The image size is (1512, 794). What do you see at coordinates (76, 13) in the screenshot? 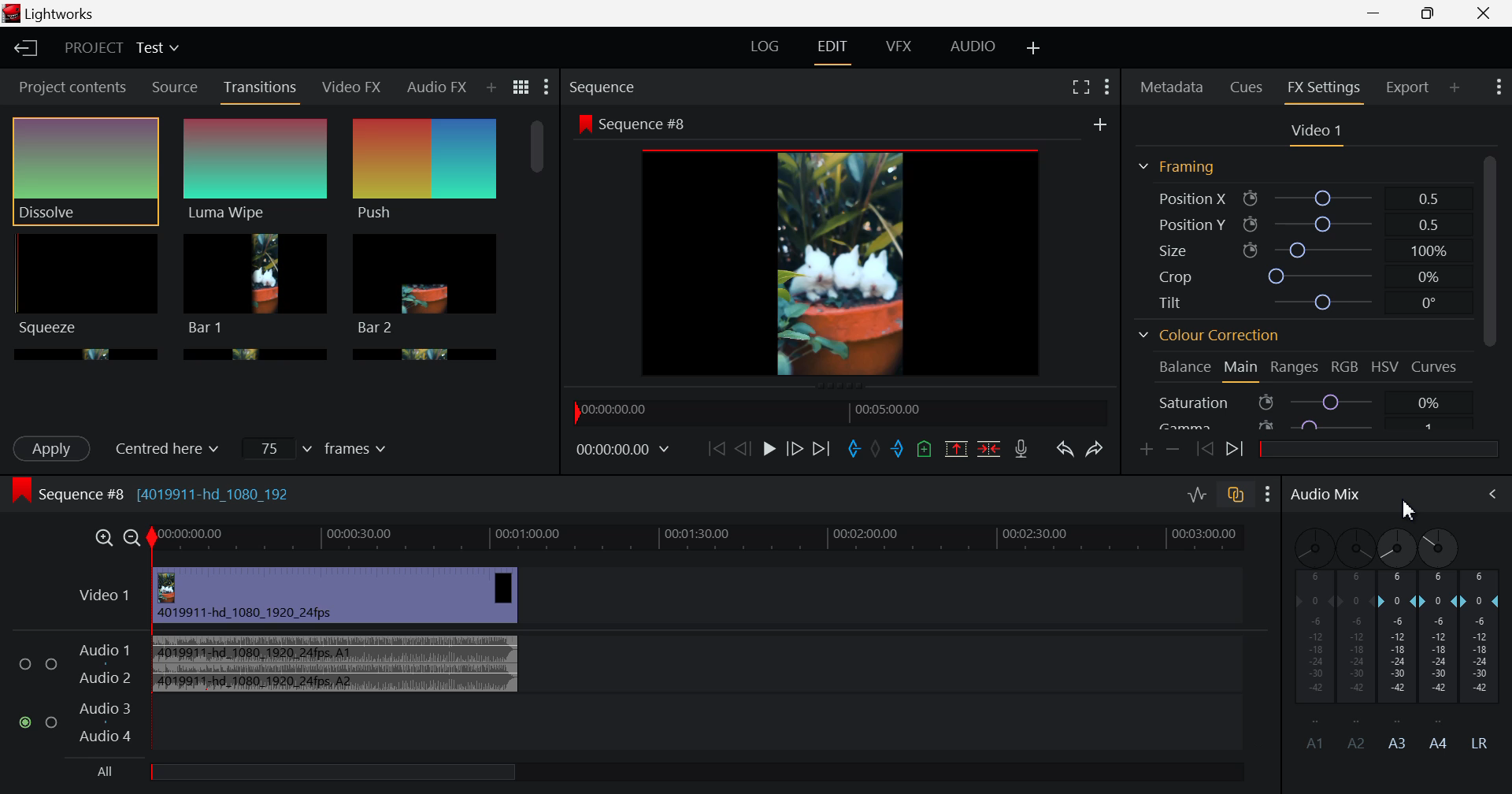
I see `Lightworks` at bounding box center [76, 13].